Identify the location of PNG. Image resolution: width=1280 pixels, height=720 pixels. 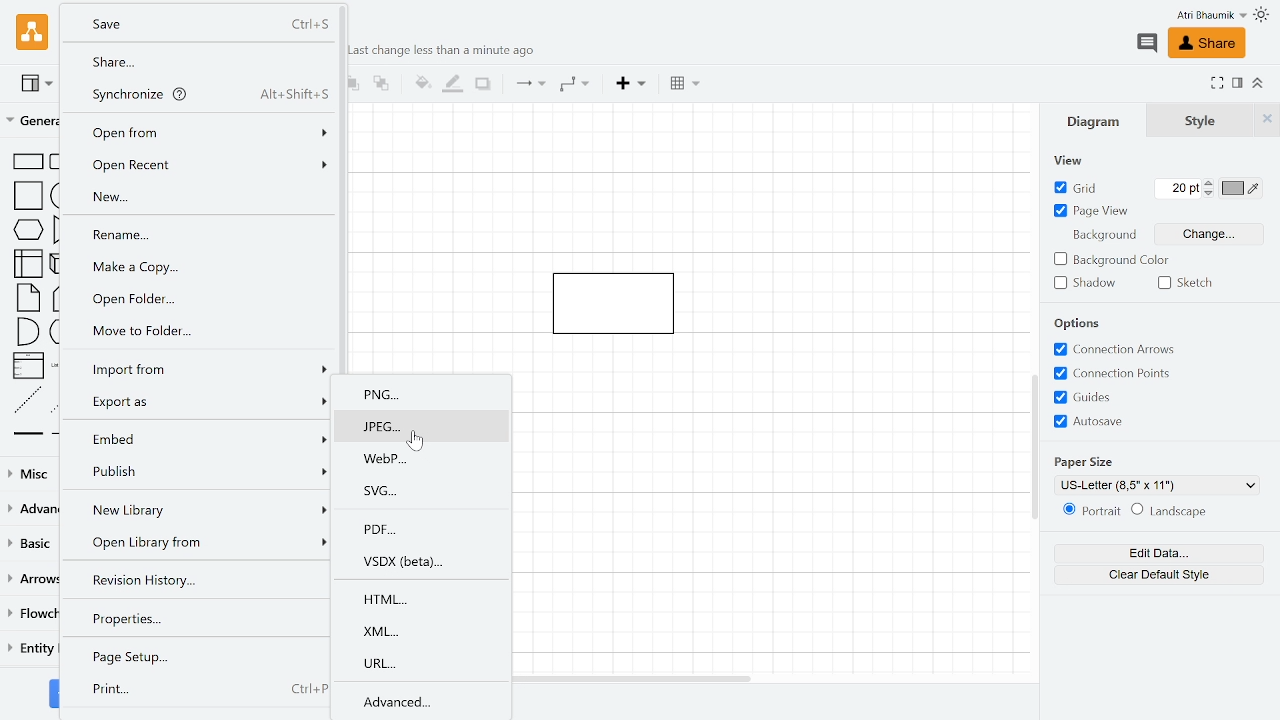
(425, 396).